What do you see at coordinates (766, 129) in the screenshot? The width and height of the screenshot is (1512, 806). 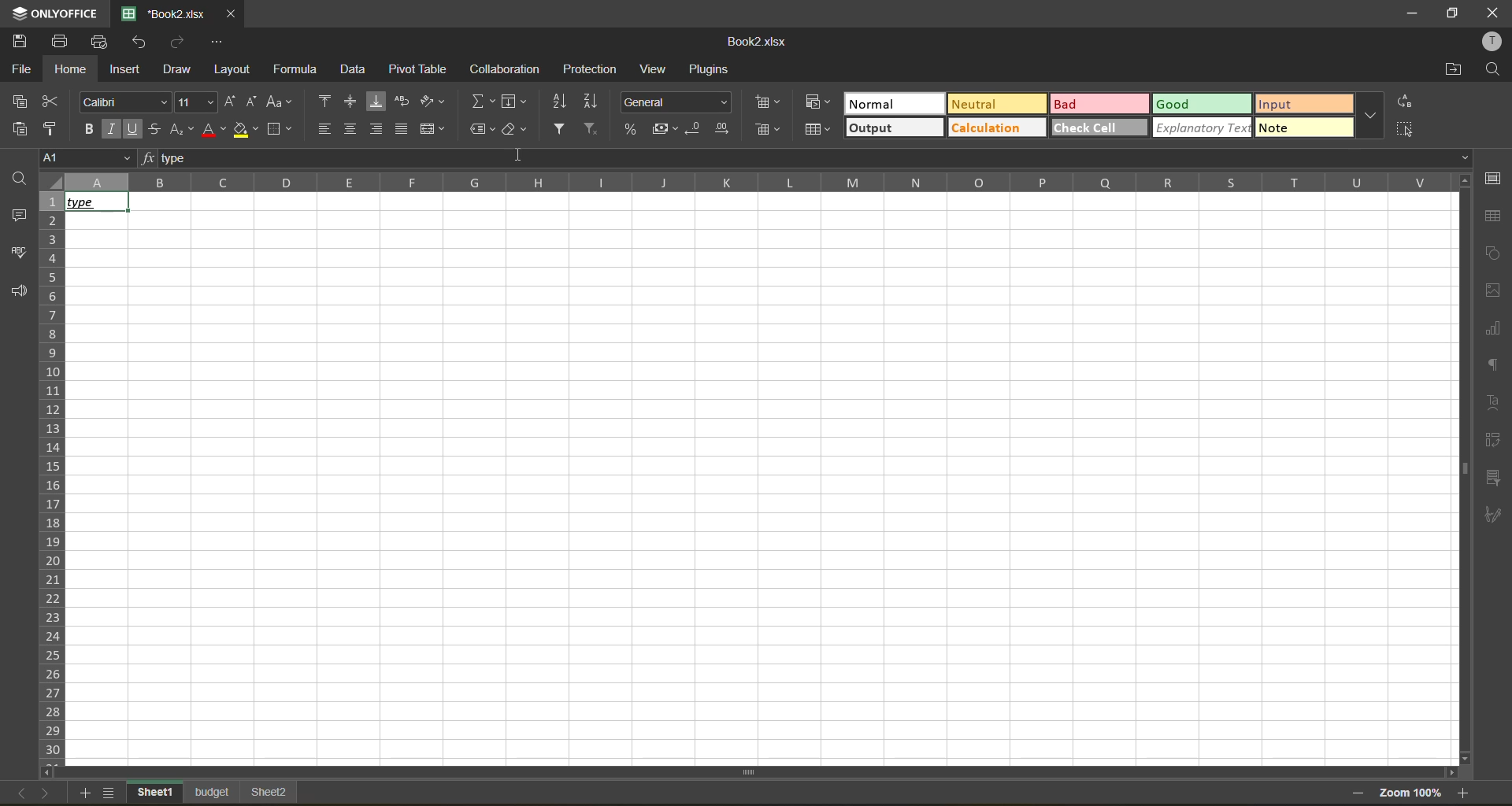 I see `remove cells` at bounding box center [766, 129].